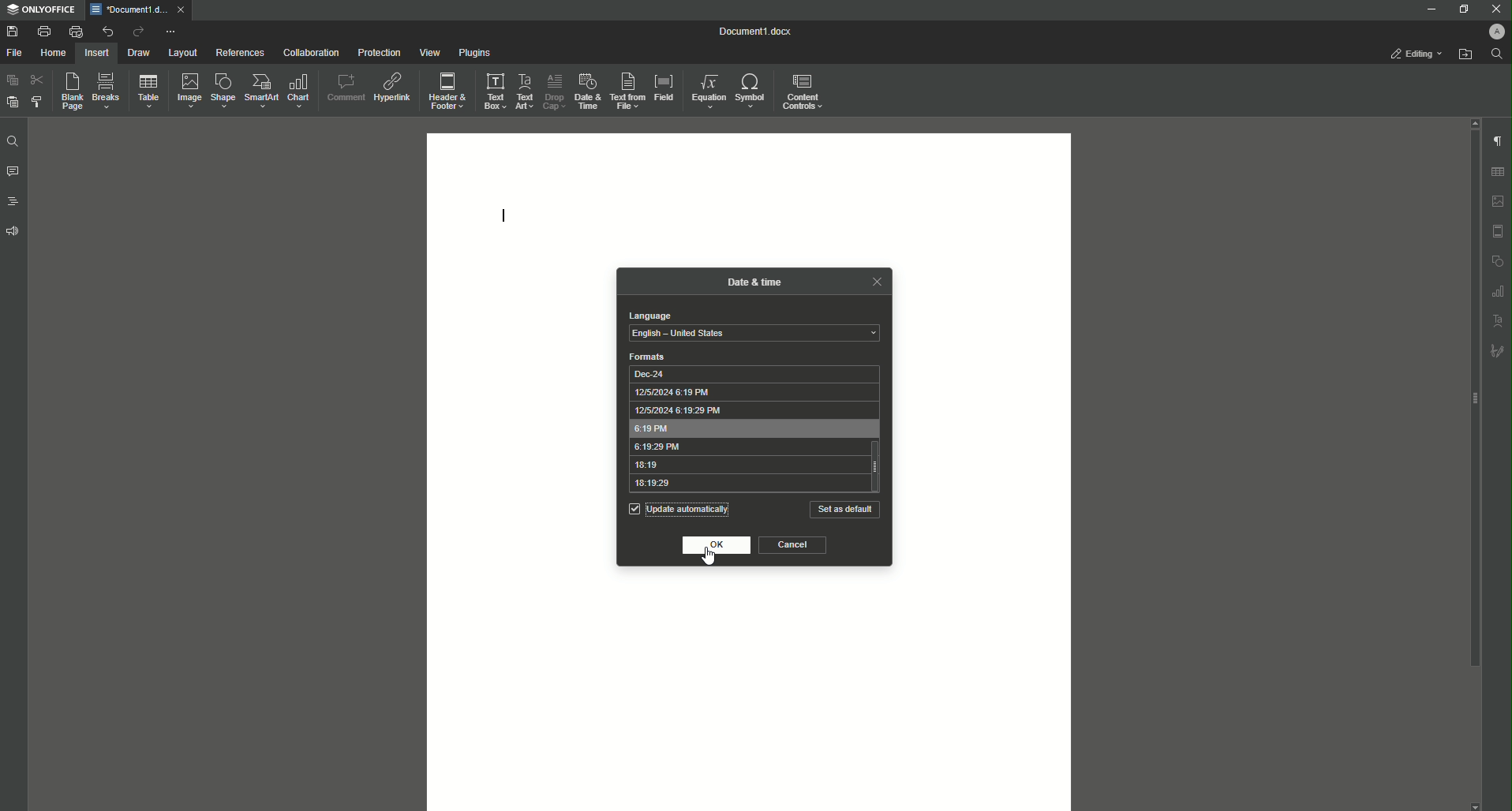  I want to click on Text Box, so click(494, 90).